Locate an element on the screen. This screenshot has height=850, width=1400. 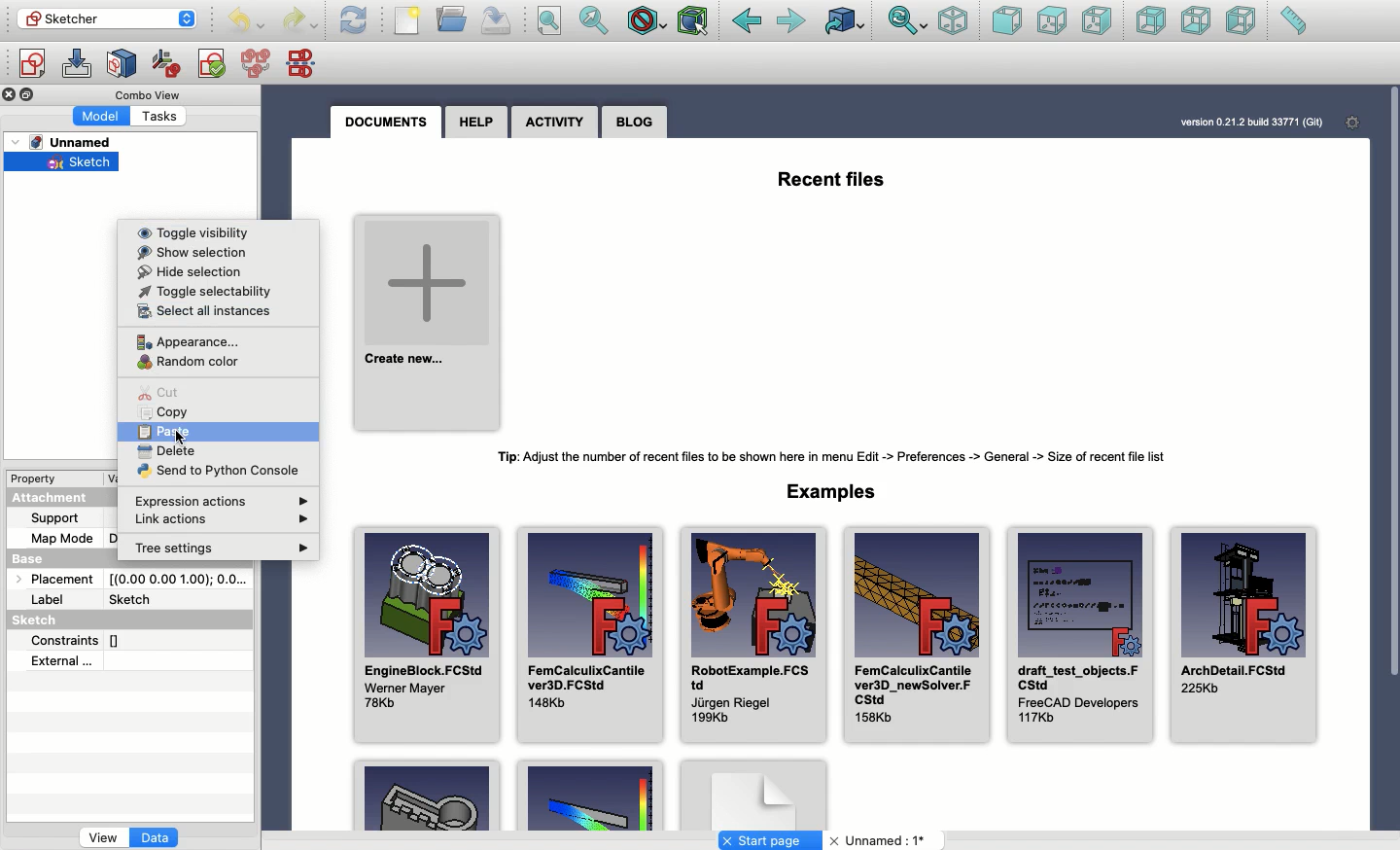
New is located at coordinates (407, 20).